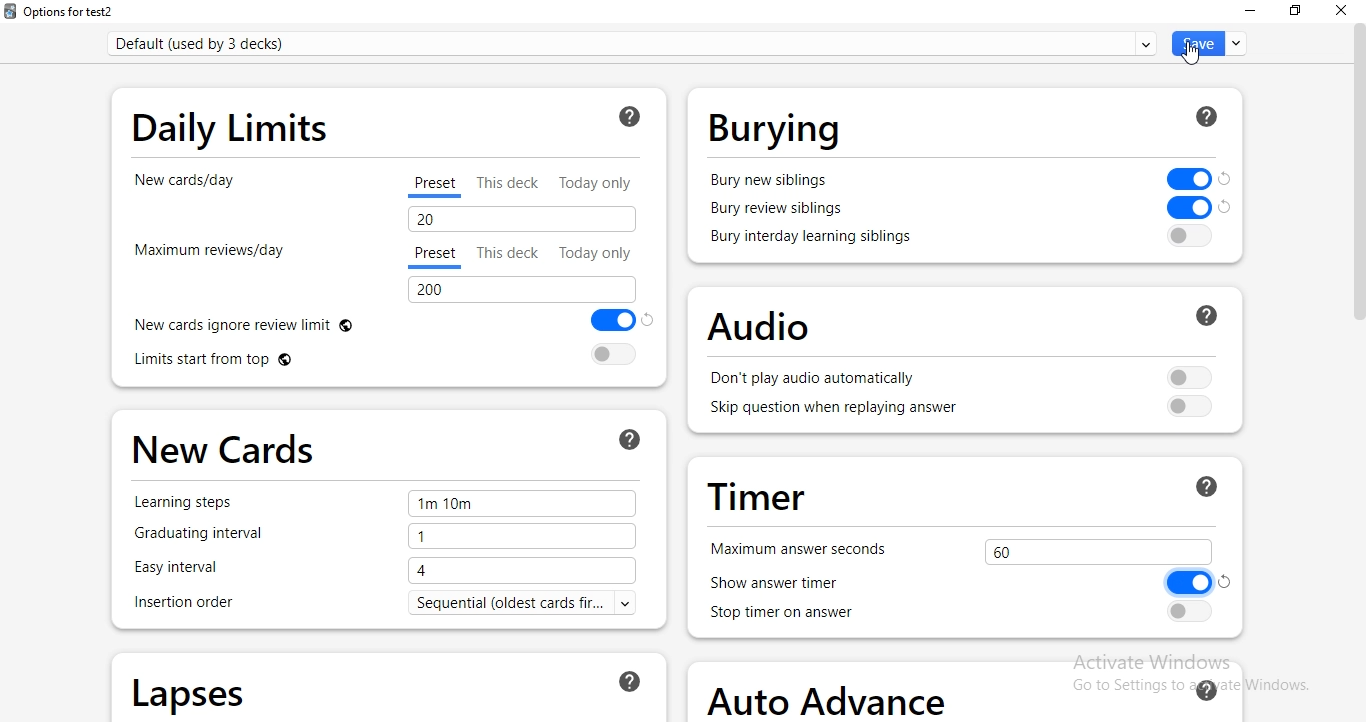 The image size is (1366, 722). Describe the element at coordinates (207, 182) in the screenshot. I see `new cards/day` at that location.